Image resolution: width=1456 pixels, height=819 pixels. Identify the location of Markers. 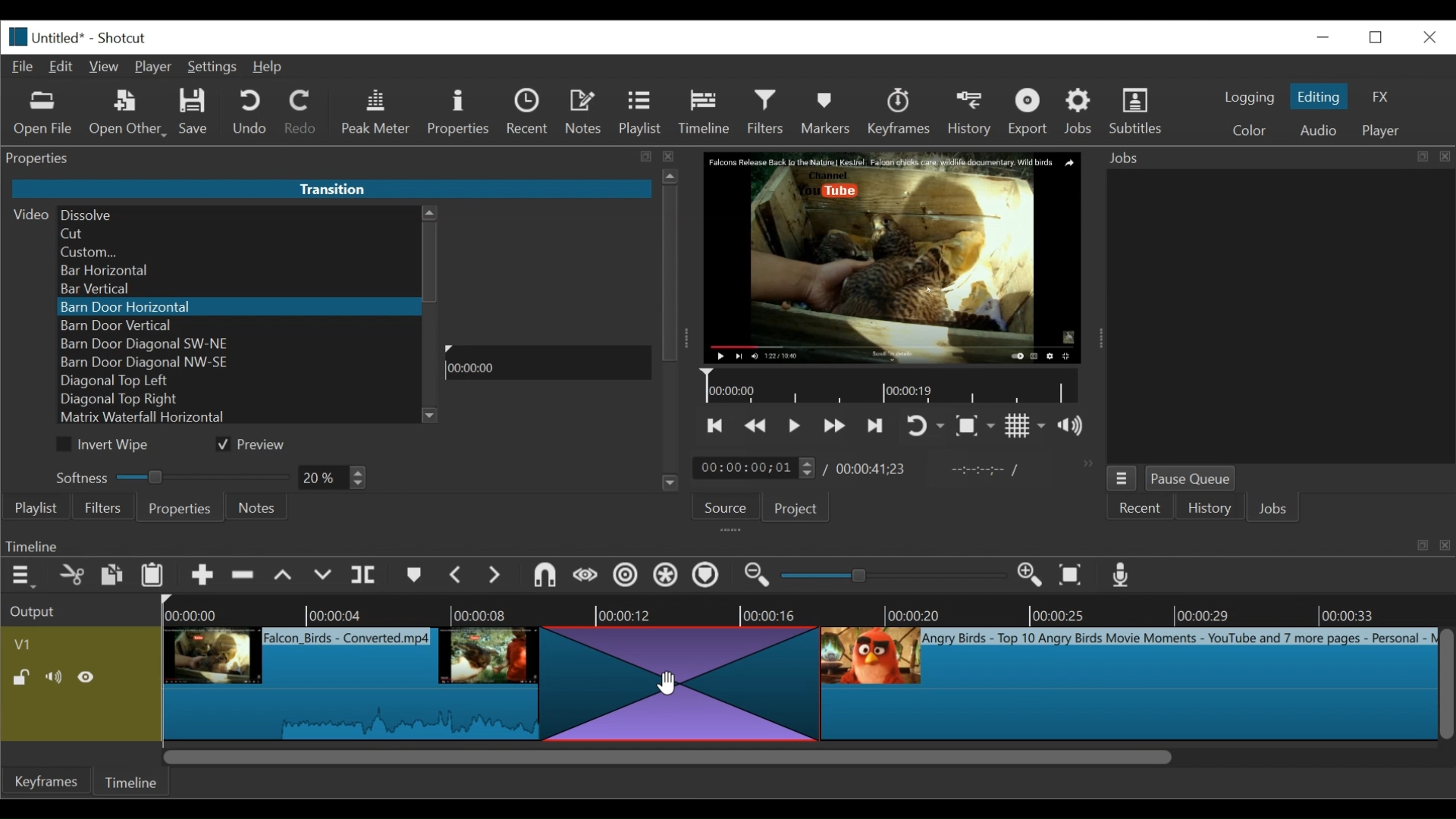
(827, 111).